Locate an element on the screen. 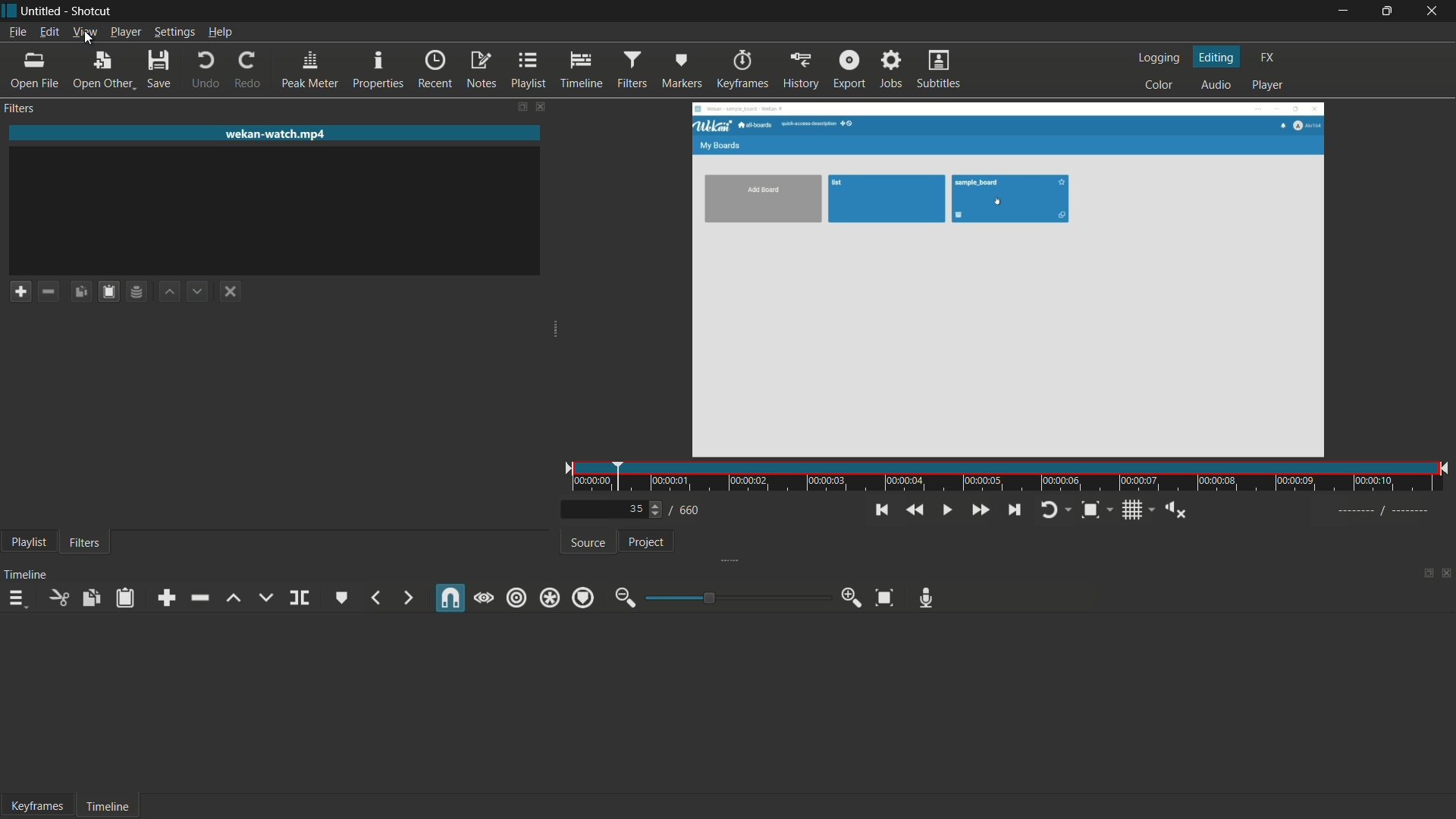 The image size is (1456, 819). copy checked filters is located at coordinates (83, 292).